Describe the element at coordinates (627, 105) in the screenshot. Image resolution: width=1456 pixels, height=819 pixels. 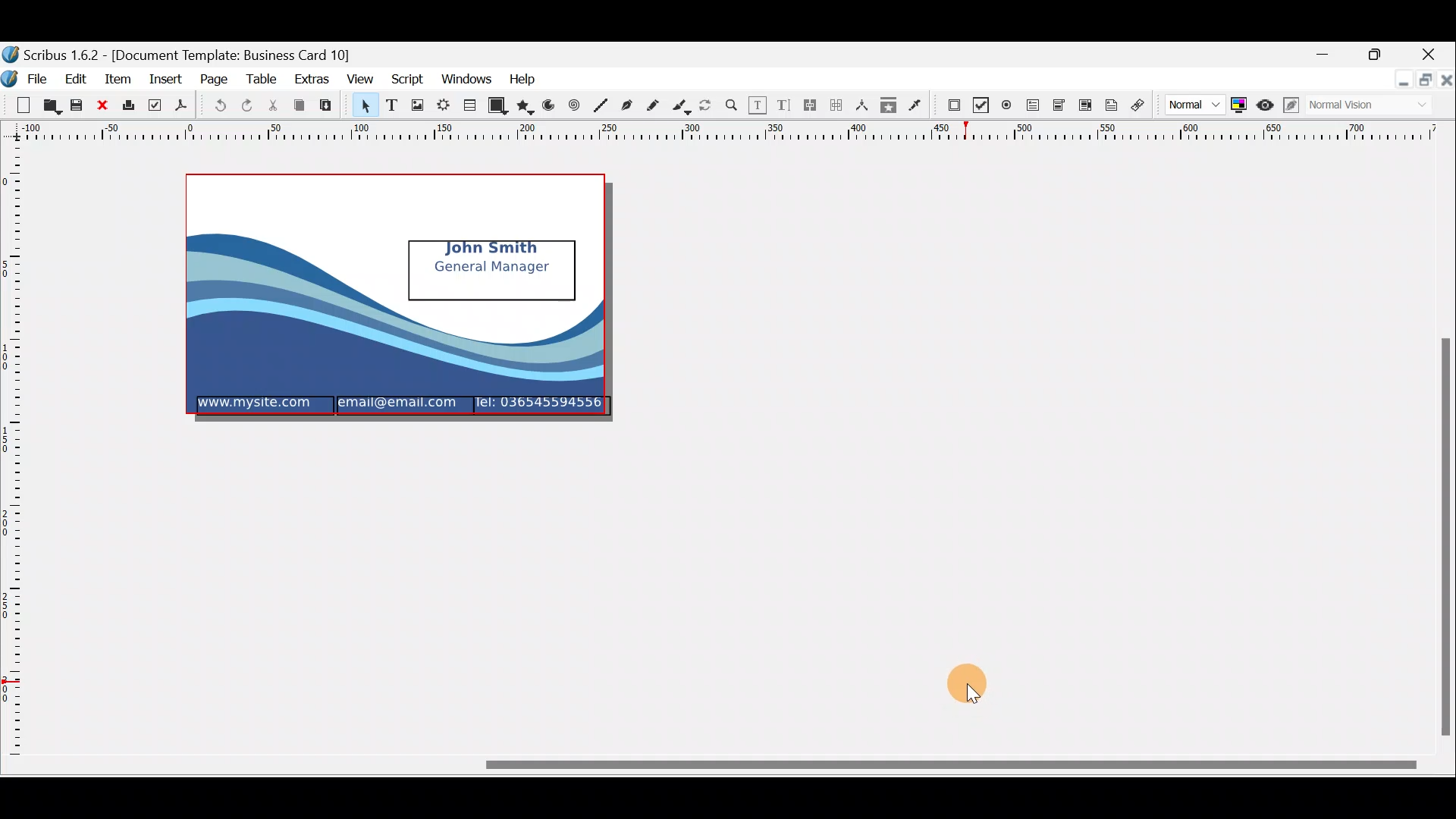
I see `Bezier curver` at that location.